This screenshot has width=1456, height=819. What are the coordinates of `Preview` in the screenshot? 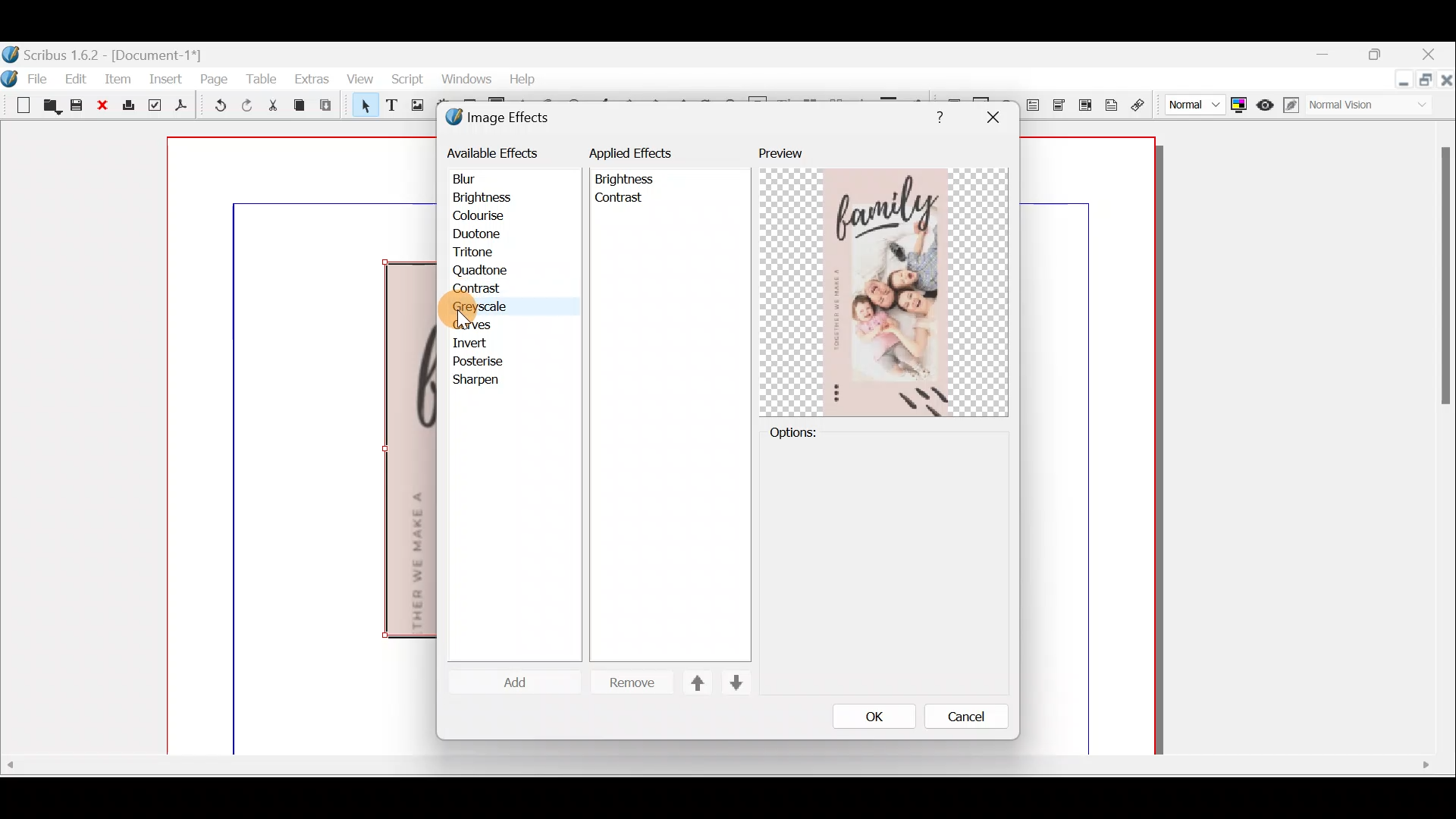 It's located at (886, 290).